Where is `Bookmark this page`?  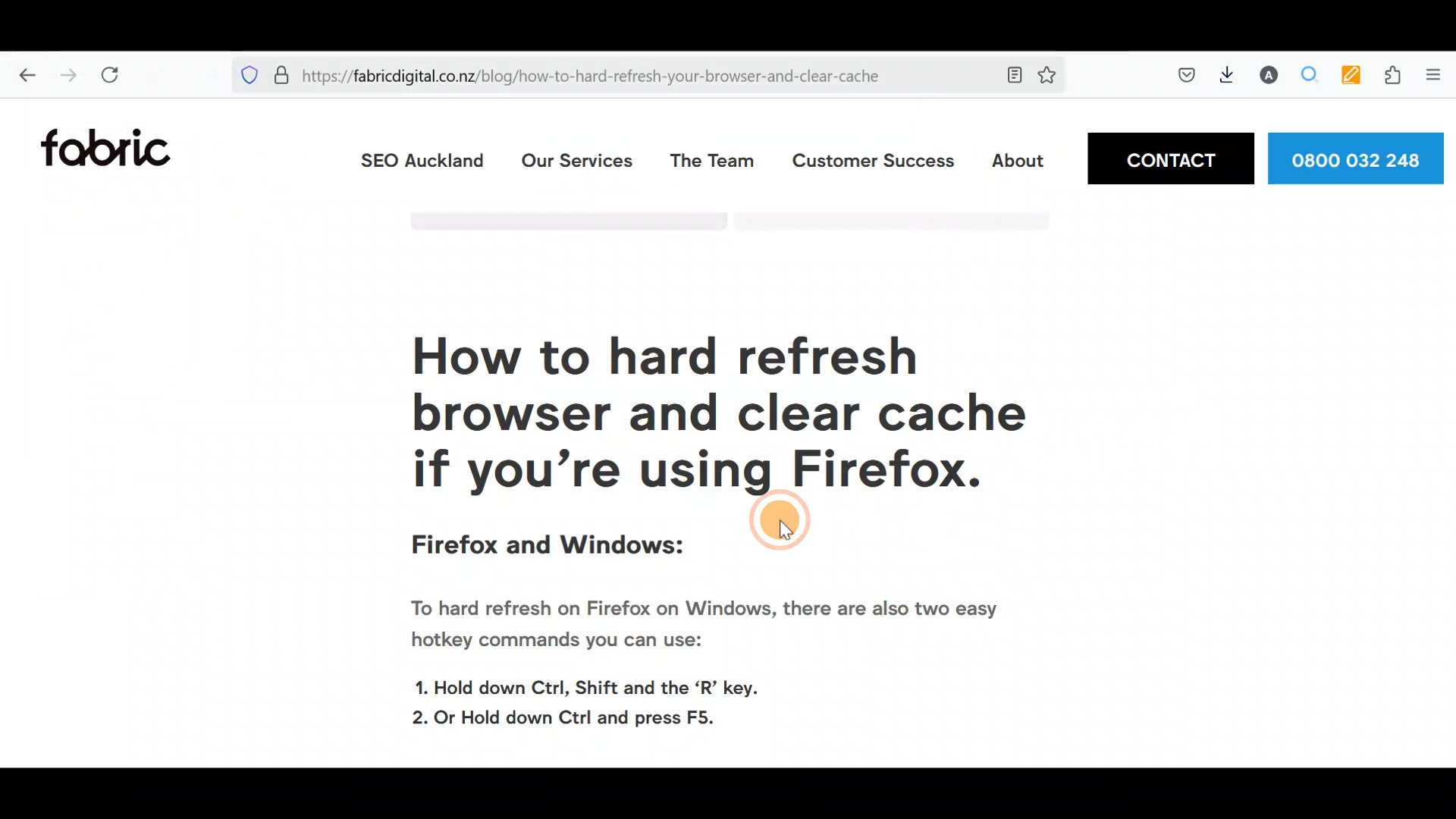 Bookmark this page is located at coordinates (1053, 77).